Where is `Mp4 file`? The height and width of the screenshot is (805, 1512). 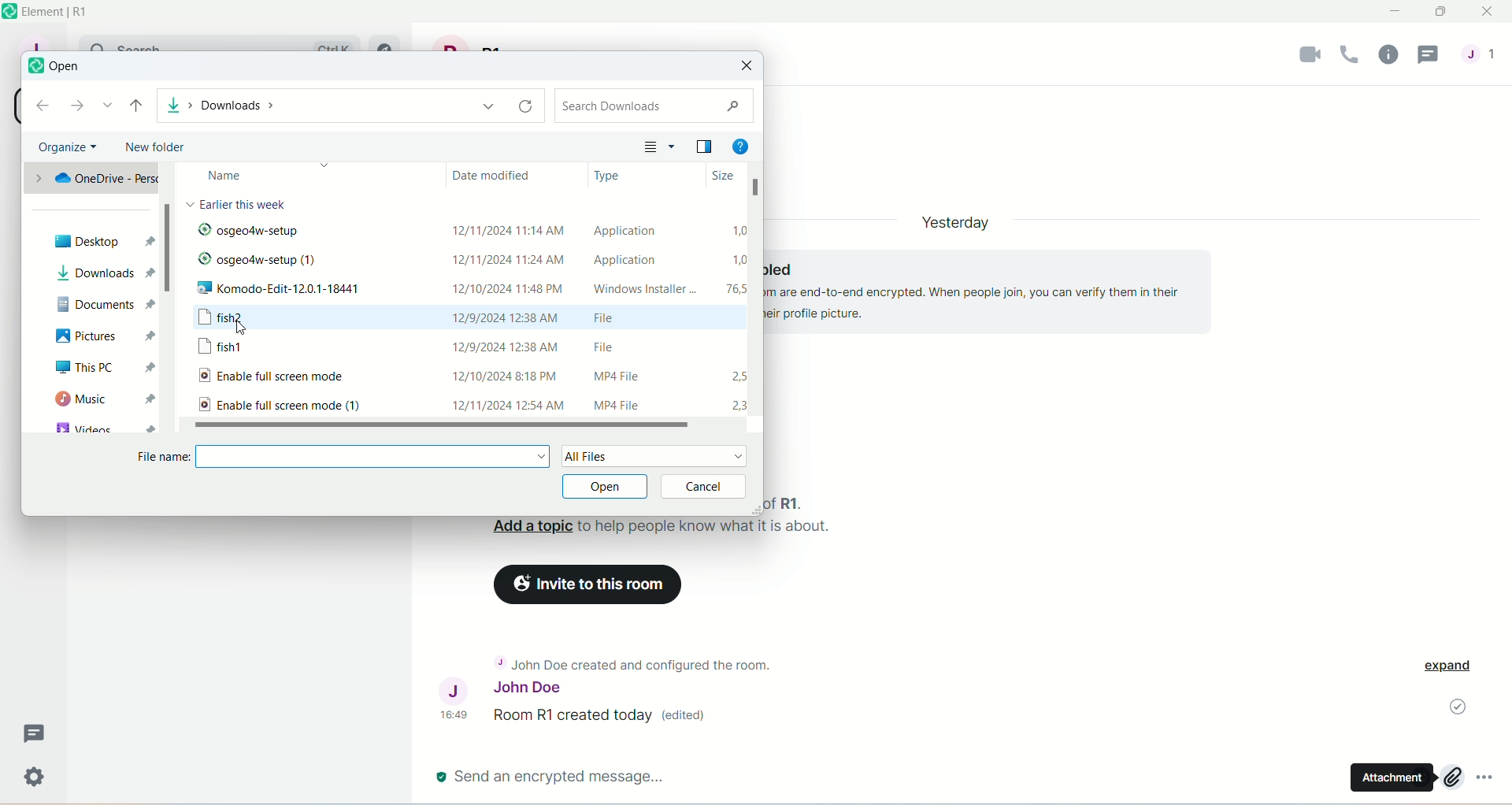 Mp4 file is located at coordinates (632, 405).